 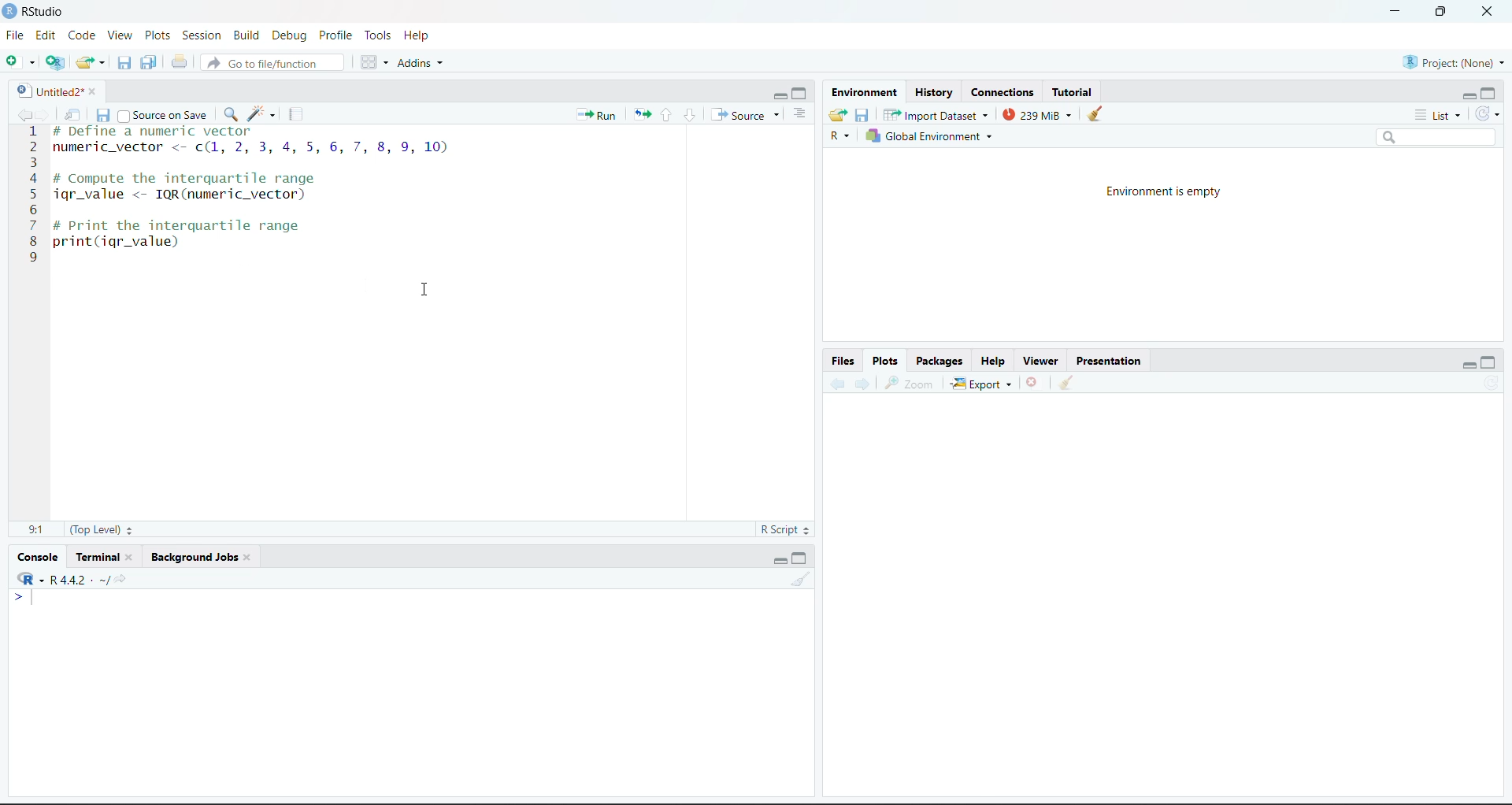 What do you see at coordinates (202, 34) in the screenshot?
I see `Session` at bounding box center [202, 34].